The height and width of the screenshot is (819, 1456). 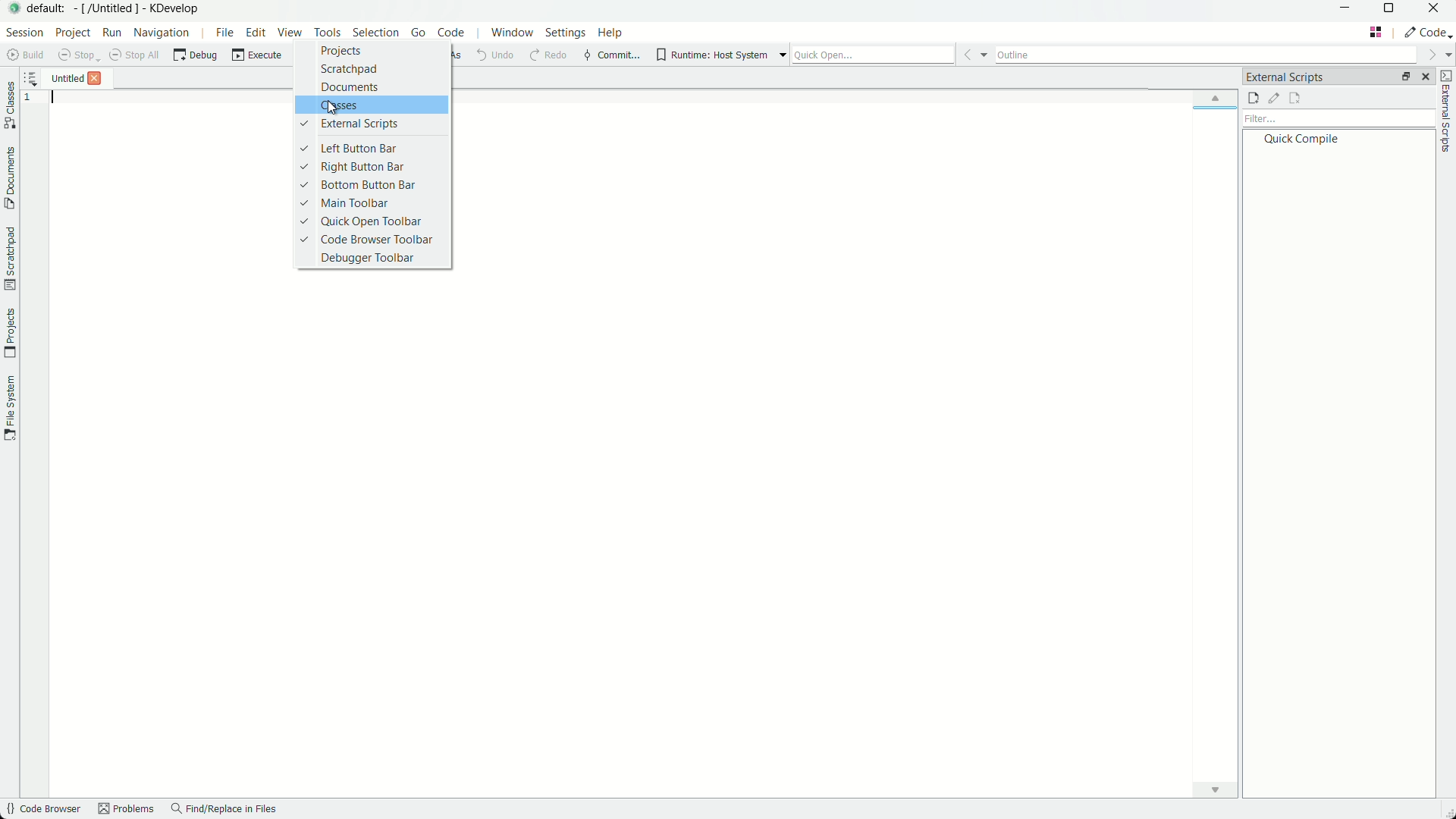 What do you see at coordinates (611, 55) in the screenshot?
I see `commit` at bounding box center [611, 55].